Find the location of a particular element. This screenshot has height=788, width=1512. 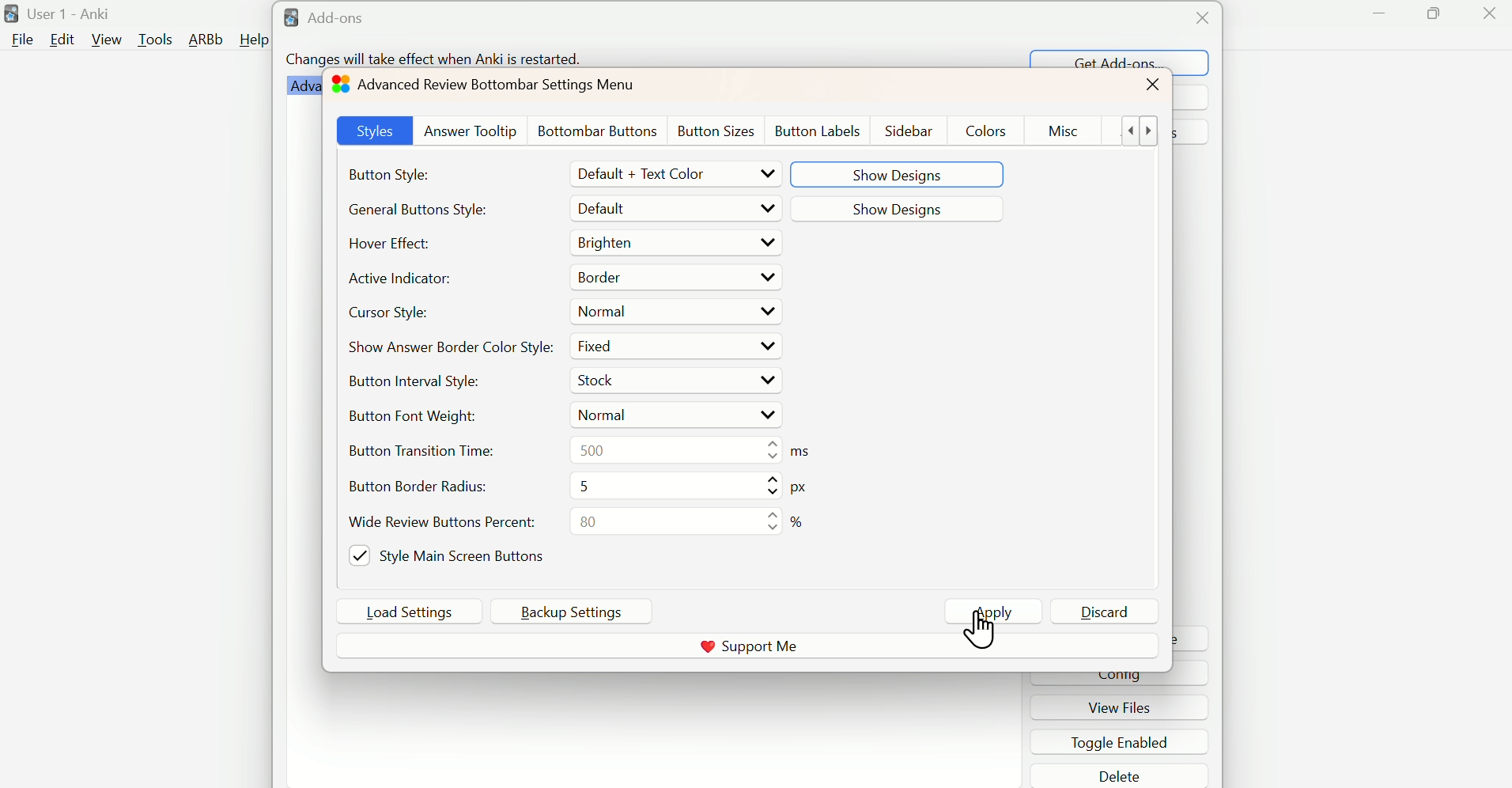

Show Designs is located at coordinates (891, 174).